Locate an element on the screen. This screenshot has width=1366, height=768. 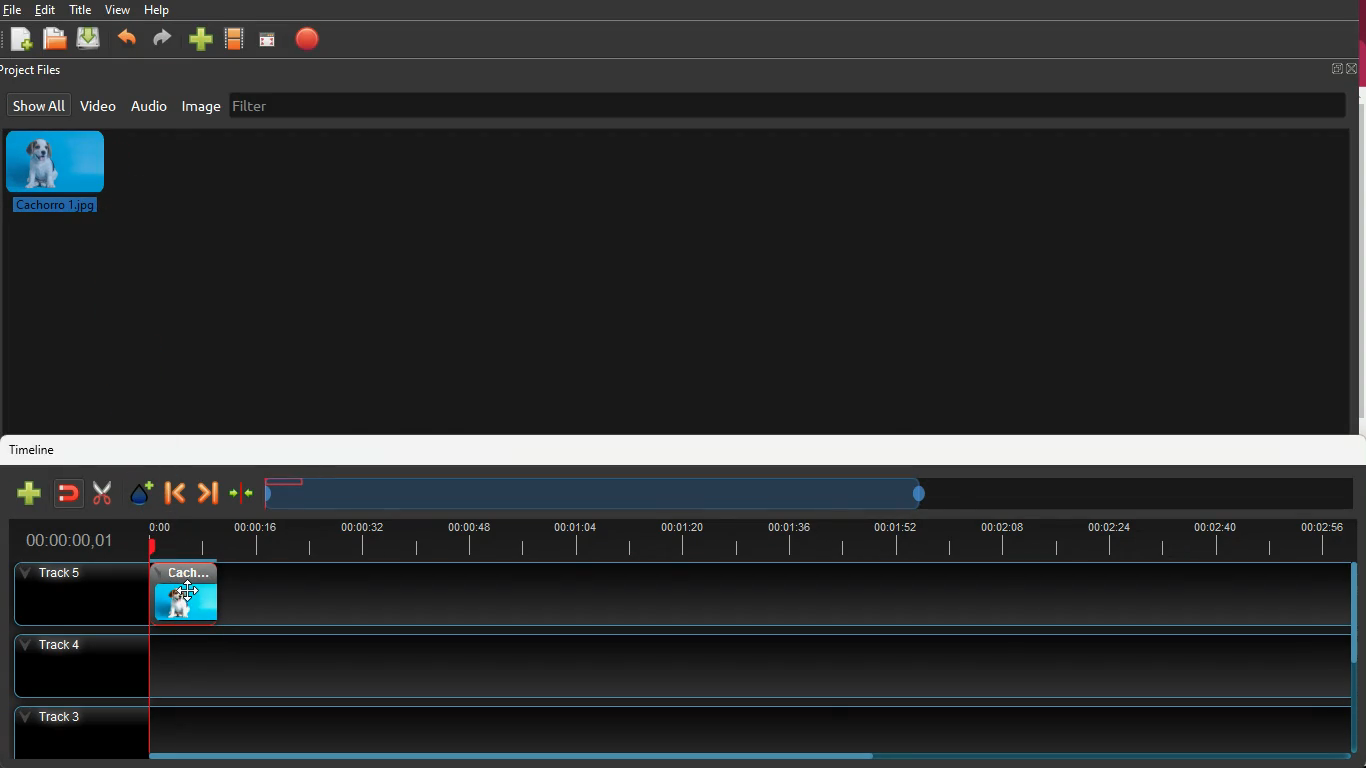
track is located at coordinates (794, 600).